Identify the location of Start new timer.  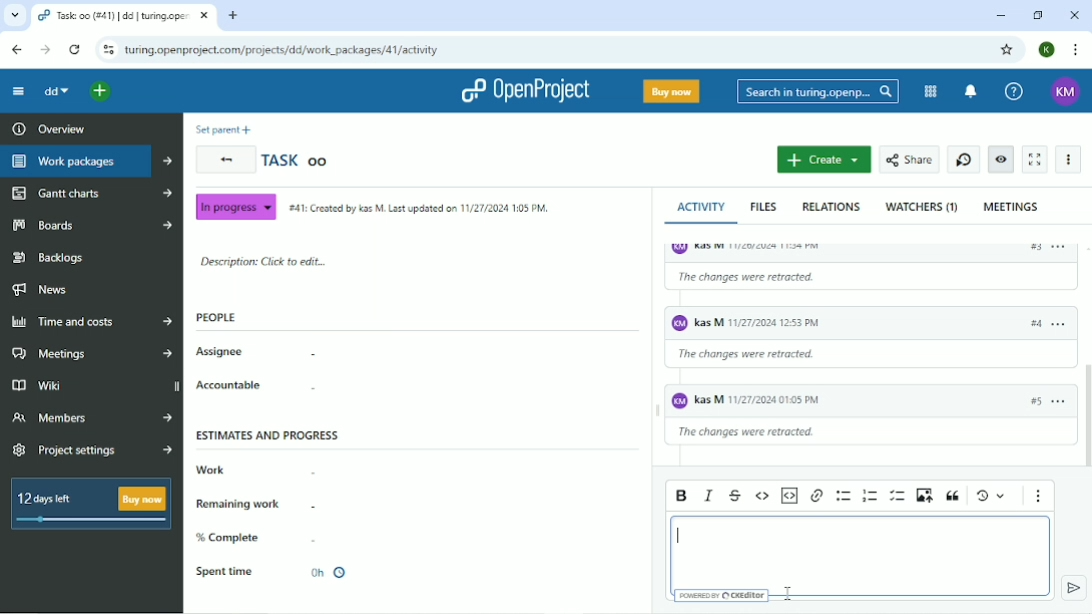
(963, 160).